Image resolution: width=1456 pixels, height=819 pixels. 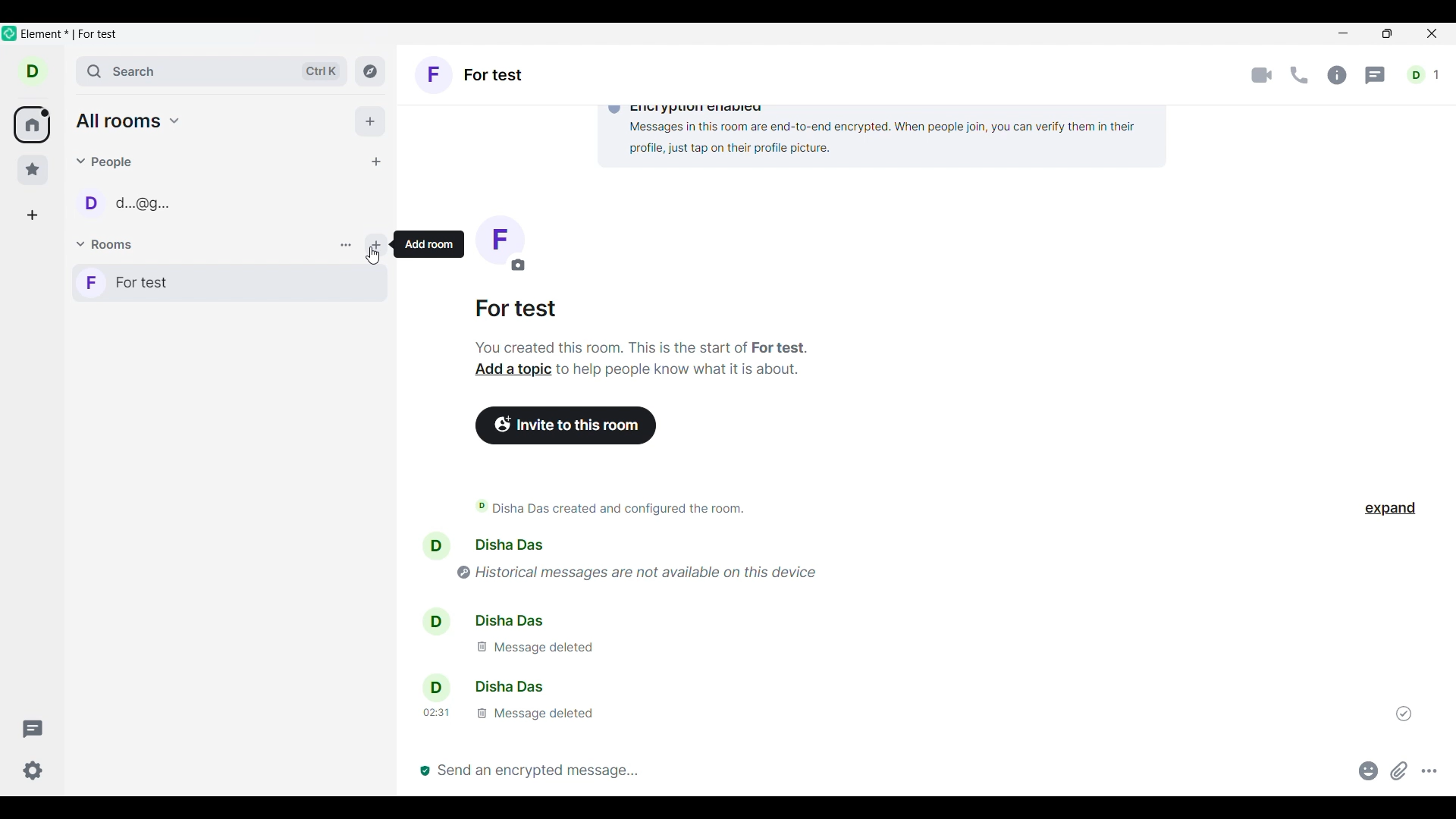 What do you see at coordinates (435, 713) in the screenshot?
I see `02:31` at bounding box center [435, 713].